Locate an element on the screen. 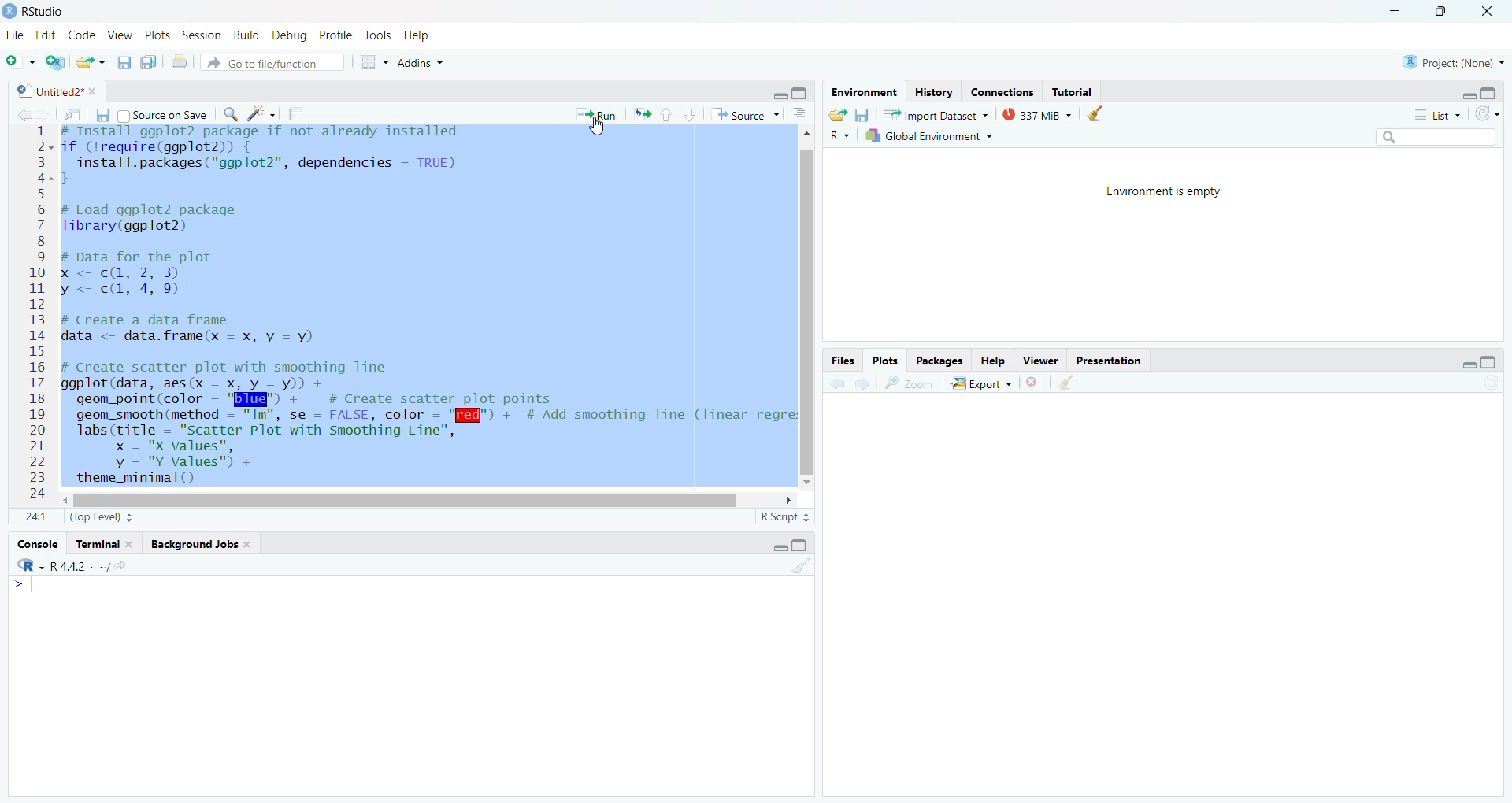 The width and height of the screenshot is (1512, 803). 1:1 is located at coordinates (35, 516).